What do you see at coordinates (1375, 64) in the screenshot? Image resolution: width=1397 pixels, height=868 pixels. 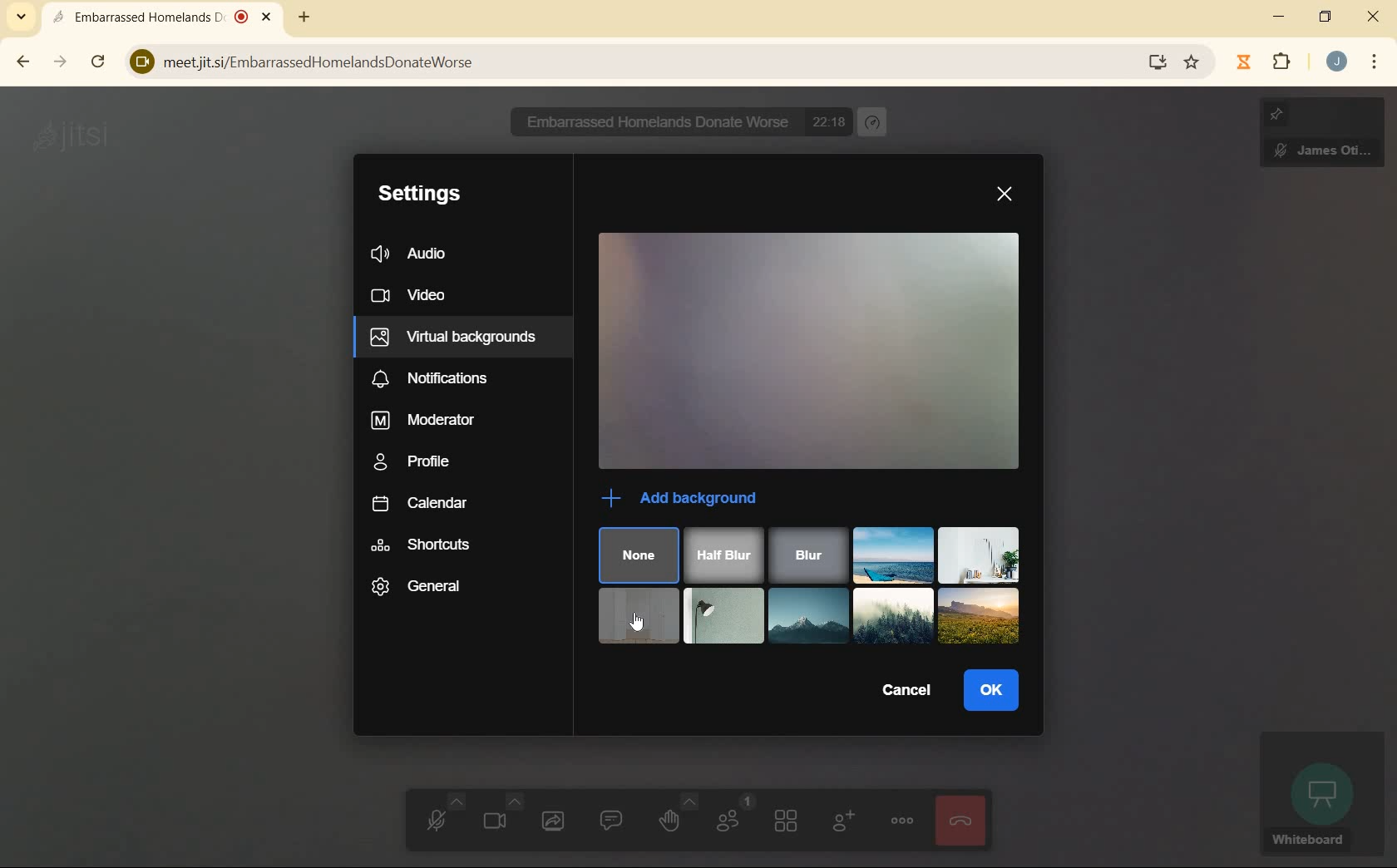 I see `menu` at bounding box center [1375, 64].